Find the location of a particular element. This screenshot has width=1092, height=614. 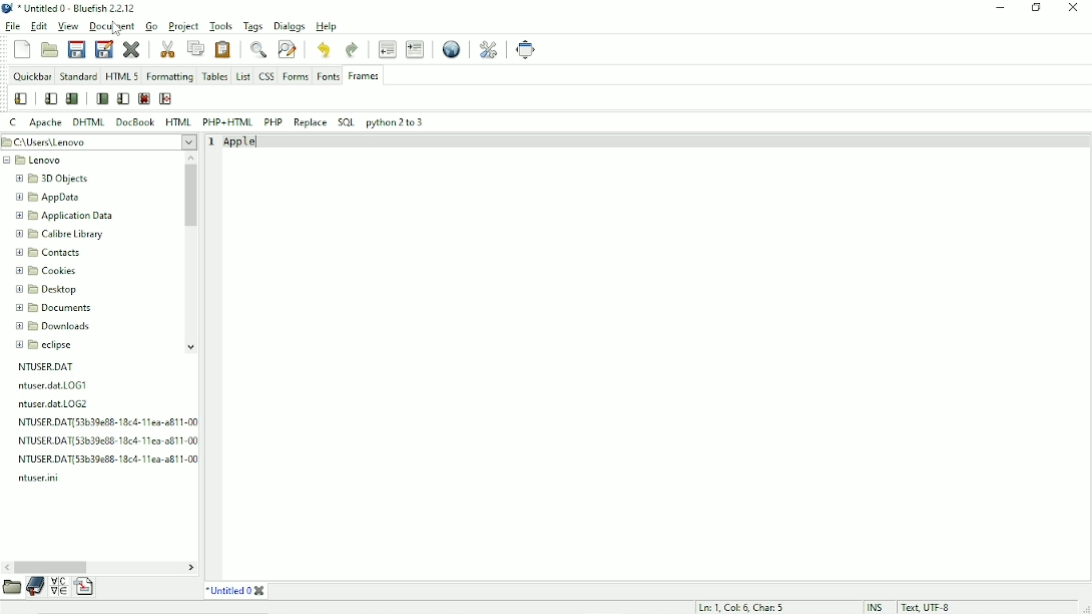

Replace is located at coordinates (310, 122).